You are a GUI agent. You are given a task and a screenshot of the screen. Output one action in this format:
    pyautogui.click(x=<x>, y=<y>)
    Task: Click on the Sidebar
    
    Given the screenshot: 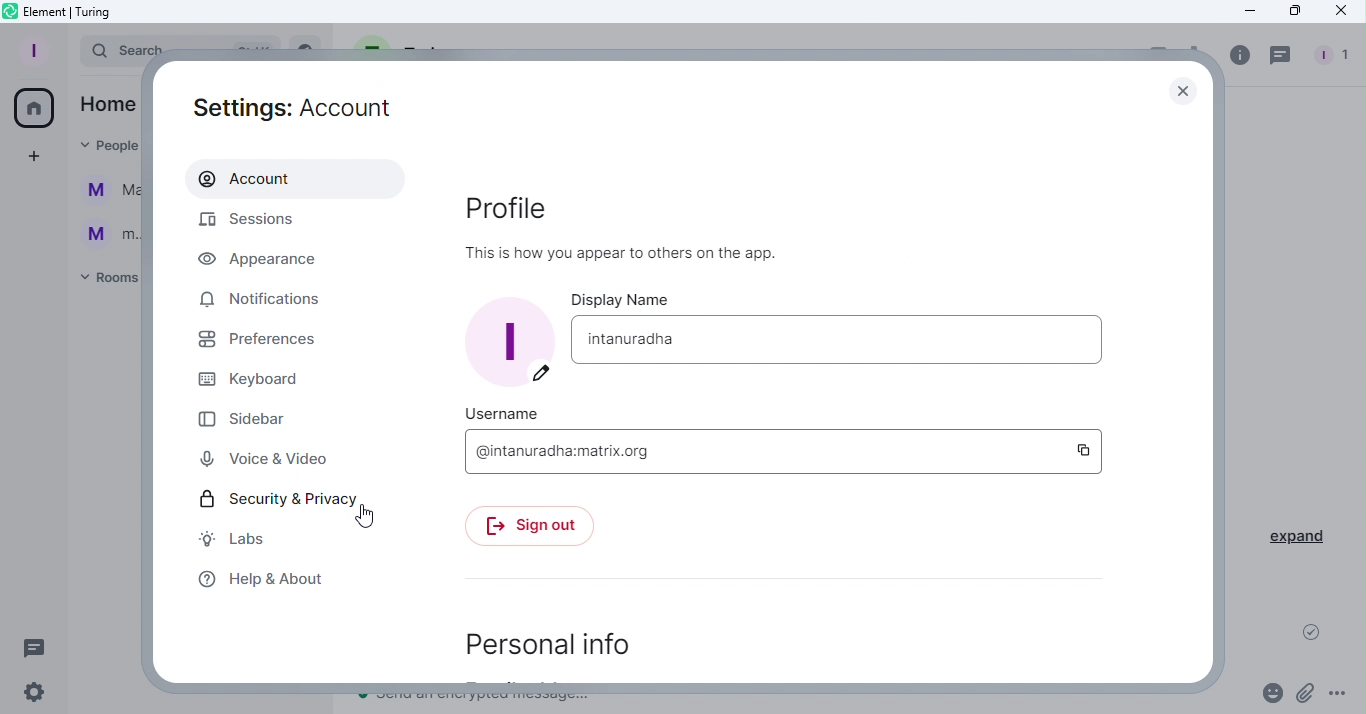 What is the action you would take?
    pyautogui.click(x=249, y=419)
    